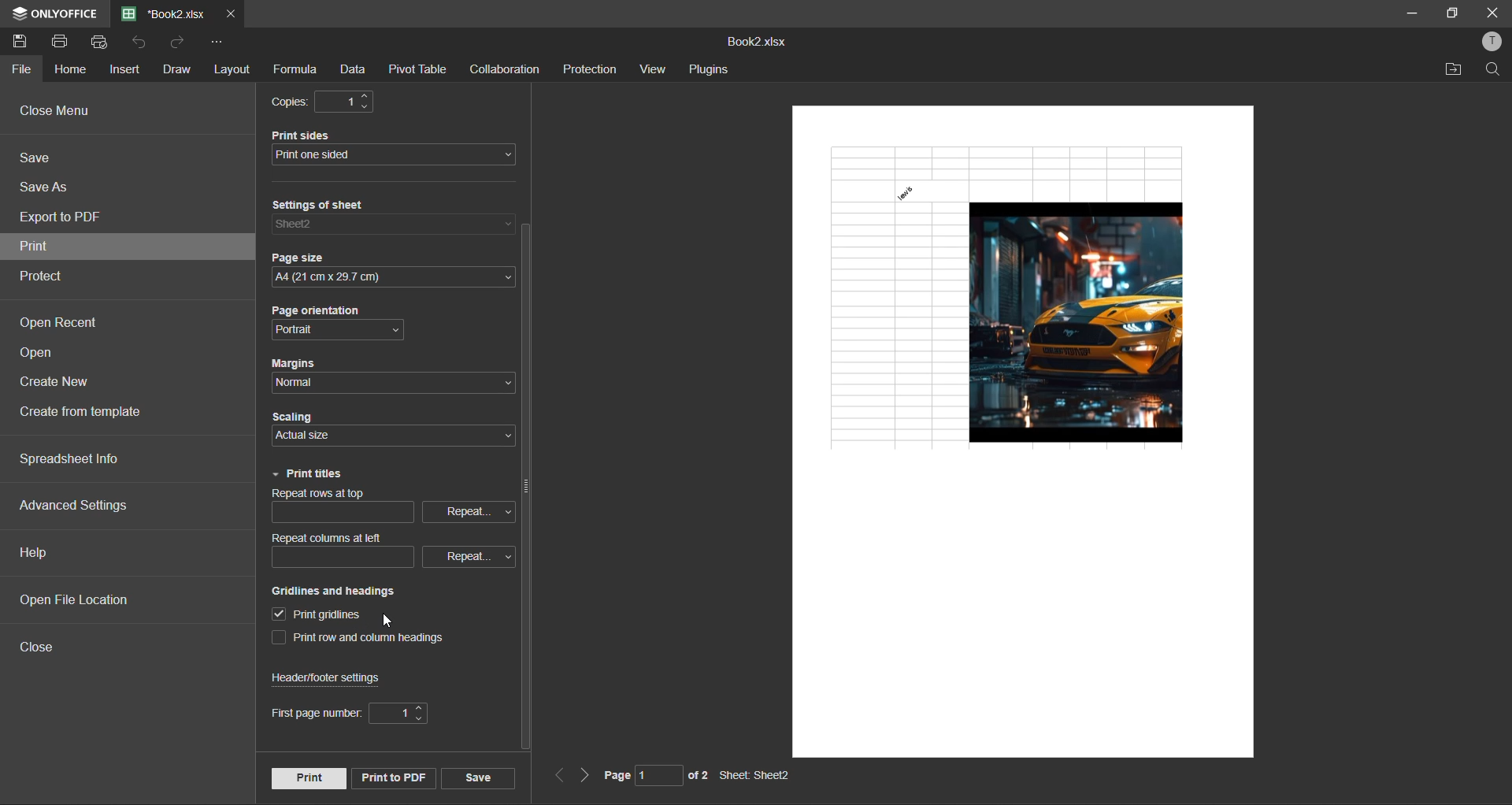 This screenshot has height=805, width=1512. What do you see at coordinates (391, 778) in the screenshot?
I see `print to pdf` at bounding box center [391, 778].